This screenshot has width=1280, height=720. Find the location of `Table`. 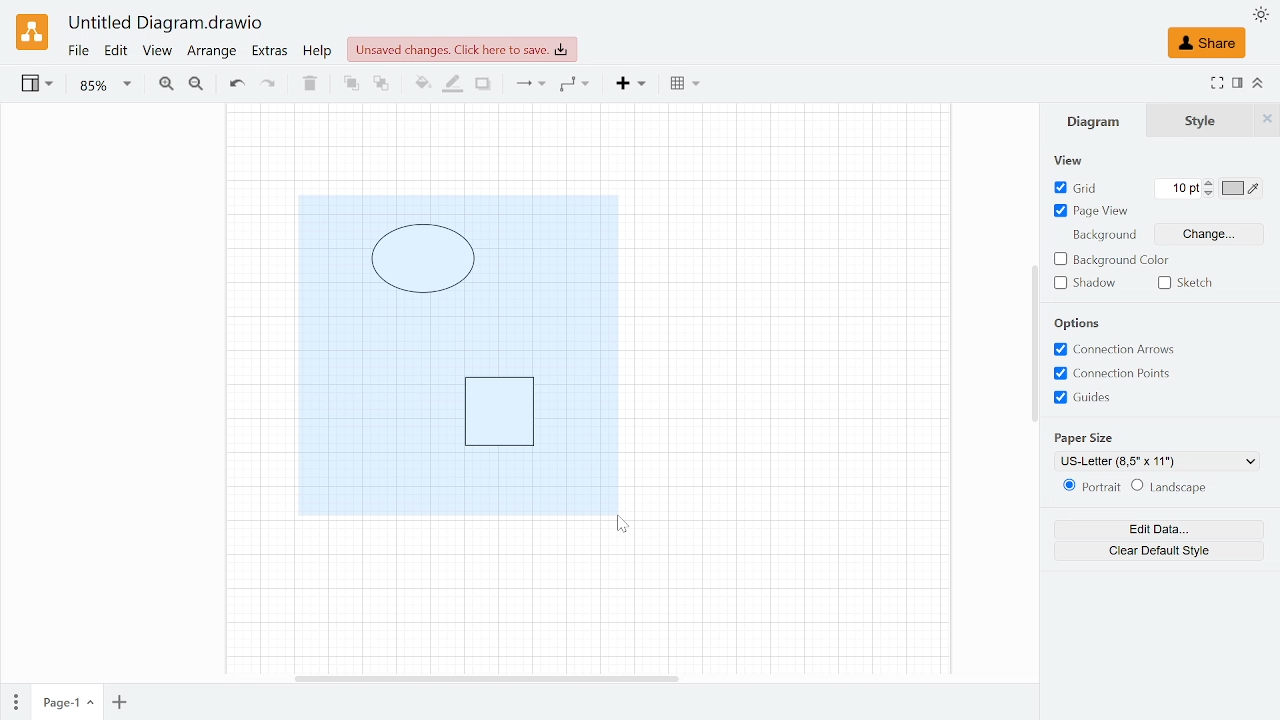

Table is located at coordinates (685, 86).